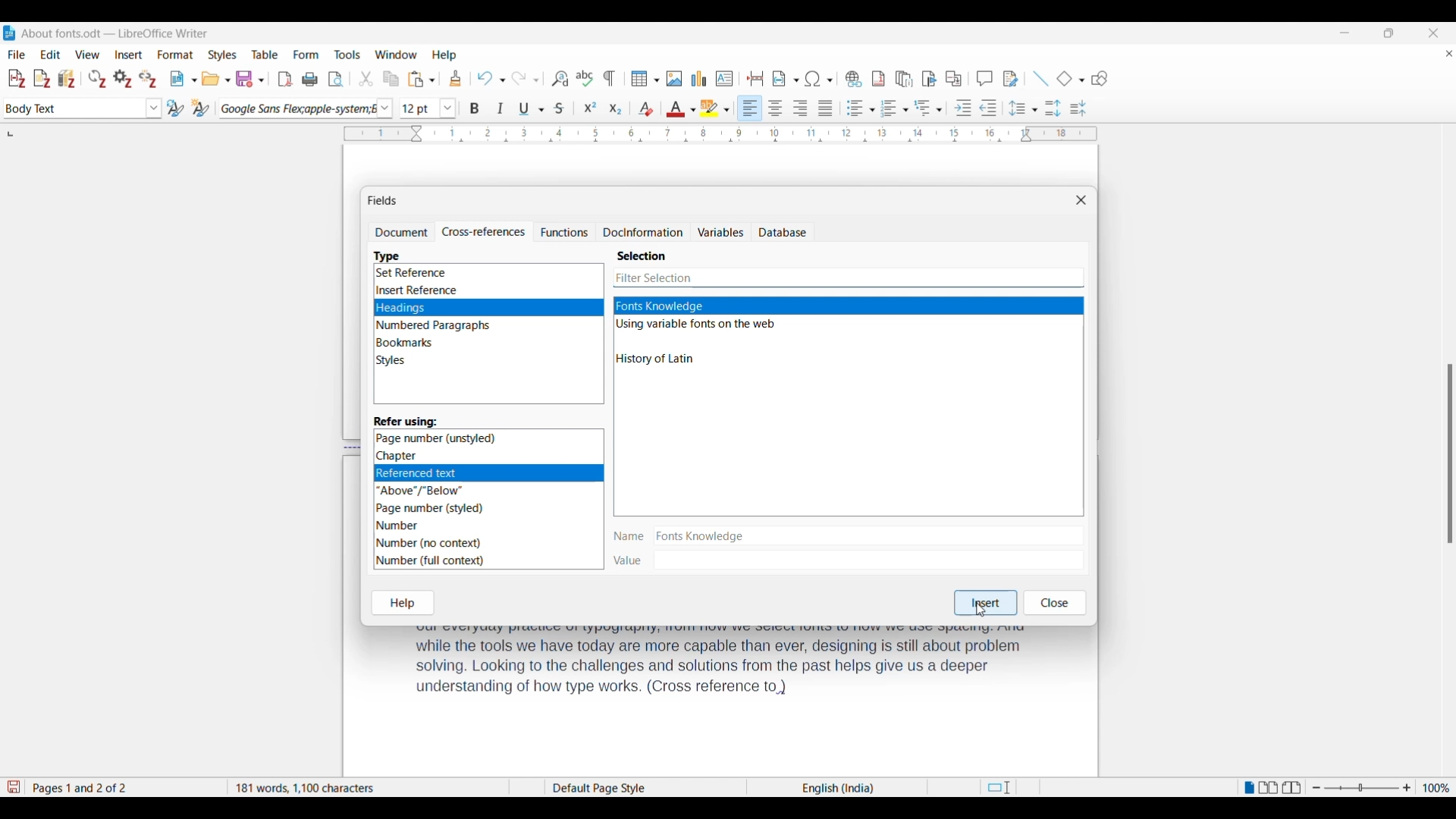  I want to click on Find and replace, so click(560, 78).